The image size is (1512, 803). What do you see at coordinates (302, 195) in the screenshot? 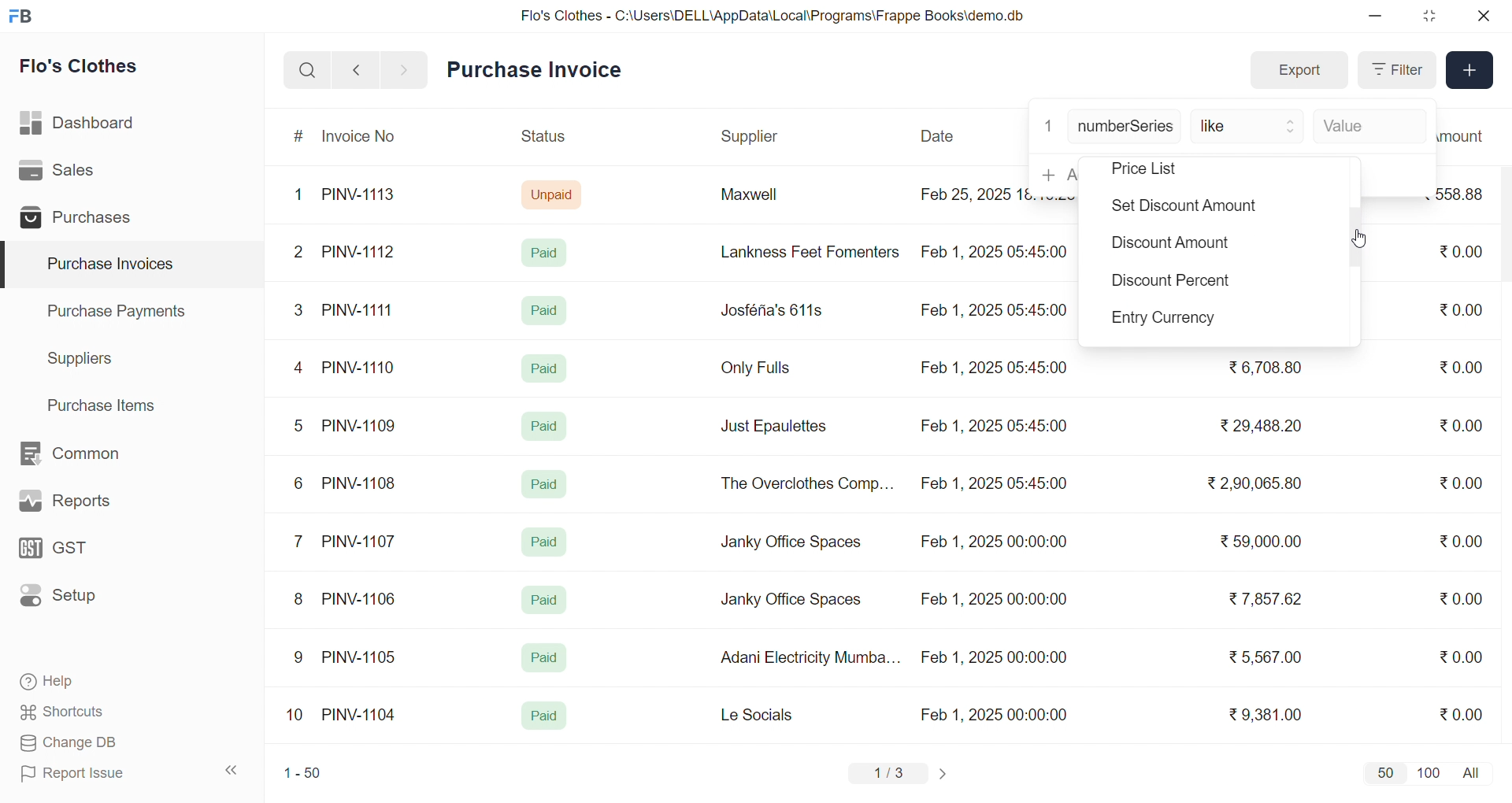
I see `1` at bounding box center [302, 195].